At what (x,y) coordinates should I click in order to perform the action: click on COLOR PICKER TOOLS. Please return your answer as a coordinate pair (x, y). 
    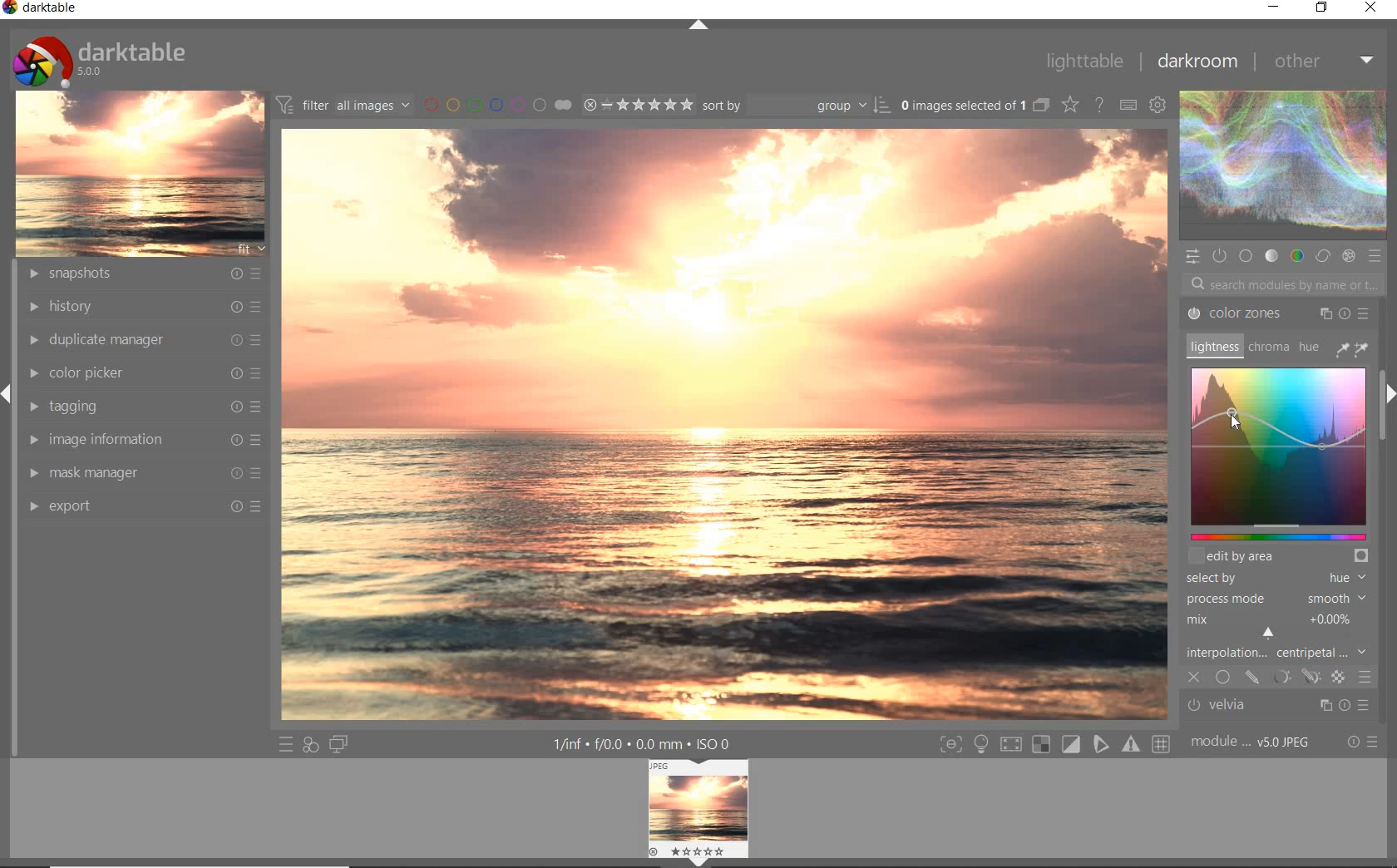
    Looking at the image, I should click on (1352, 348).